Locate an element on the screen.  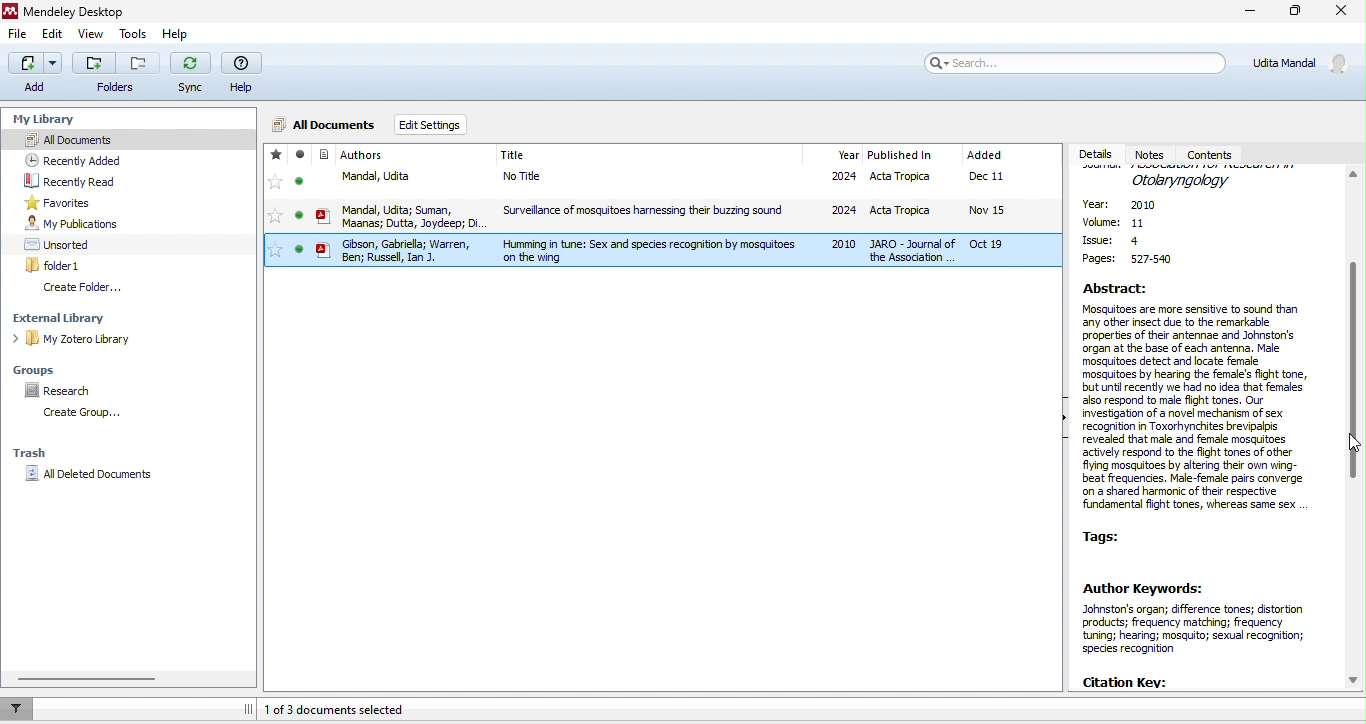
unsorted is located at coordinates (60, 244).